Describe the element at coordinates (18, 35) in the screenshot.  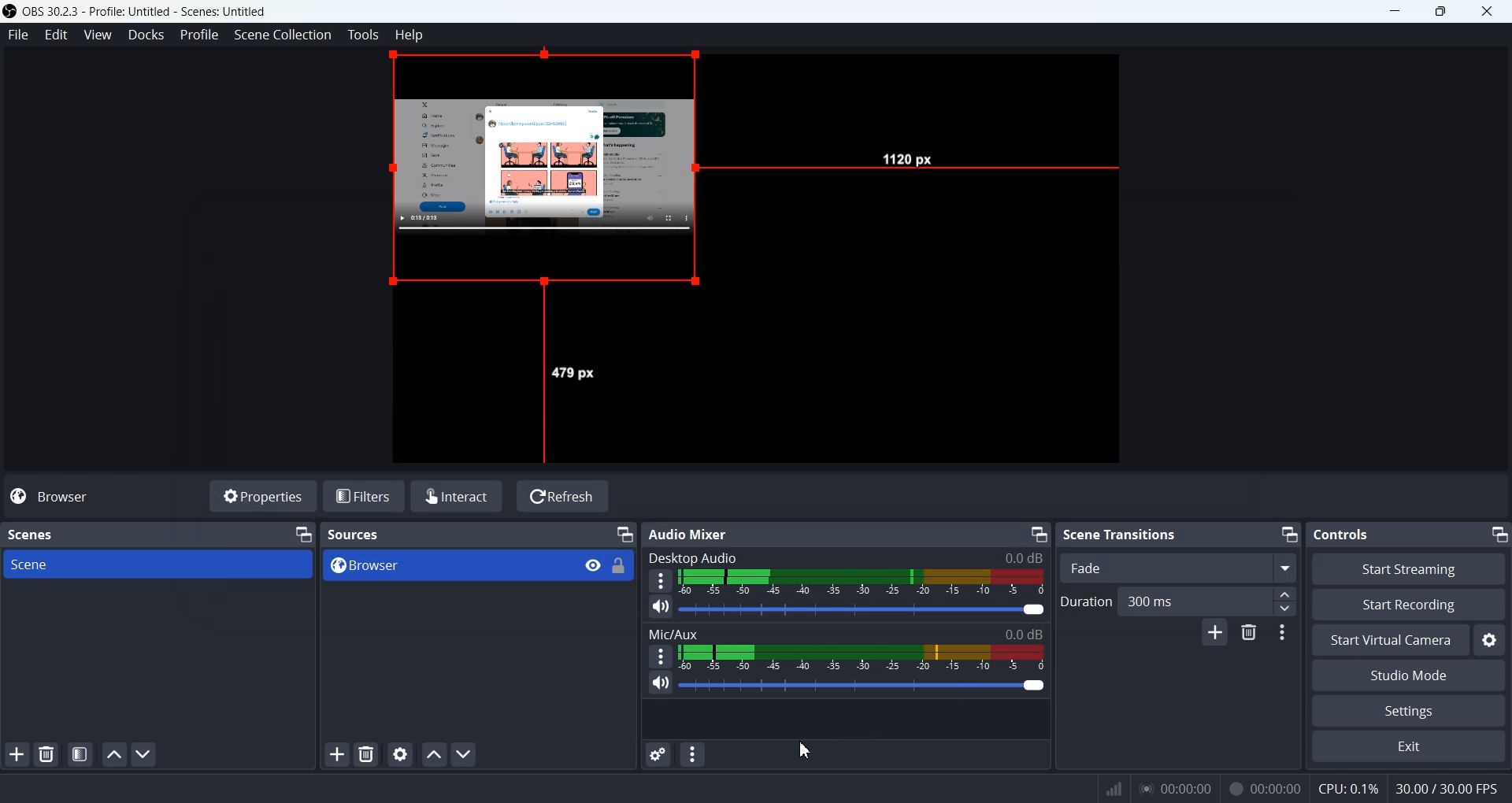
I see `File` at that location.